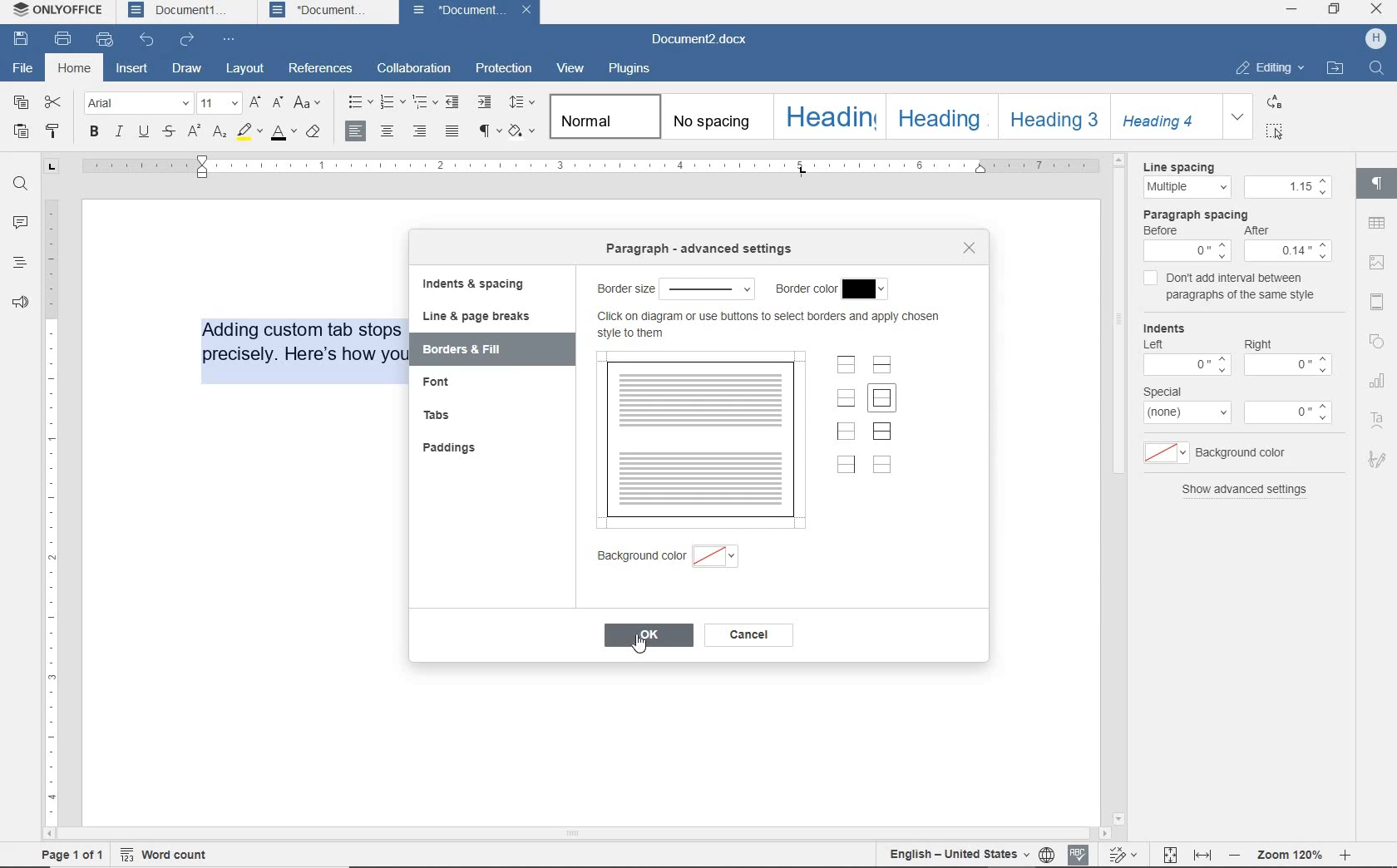  Describe the element at coordinates (1276, 131) in the screenshot. I see `select all` at that location.